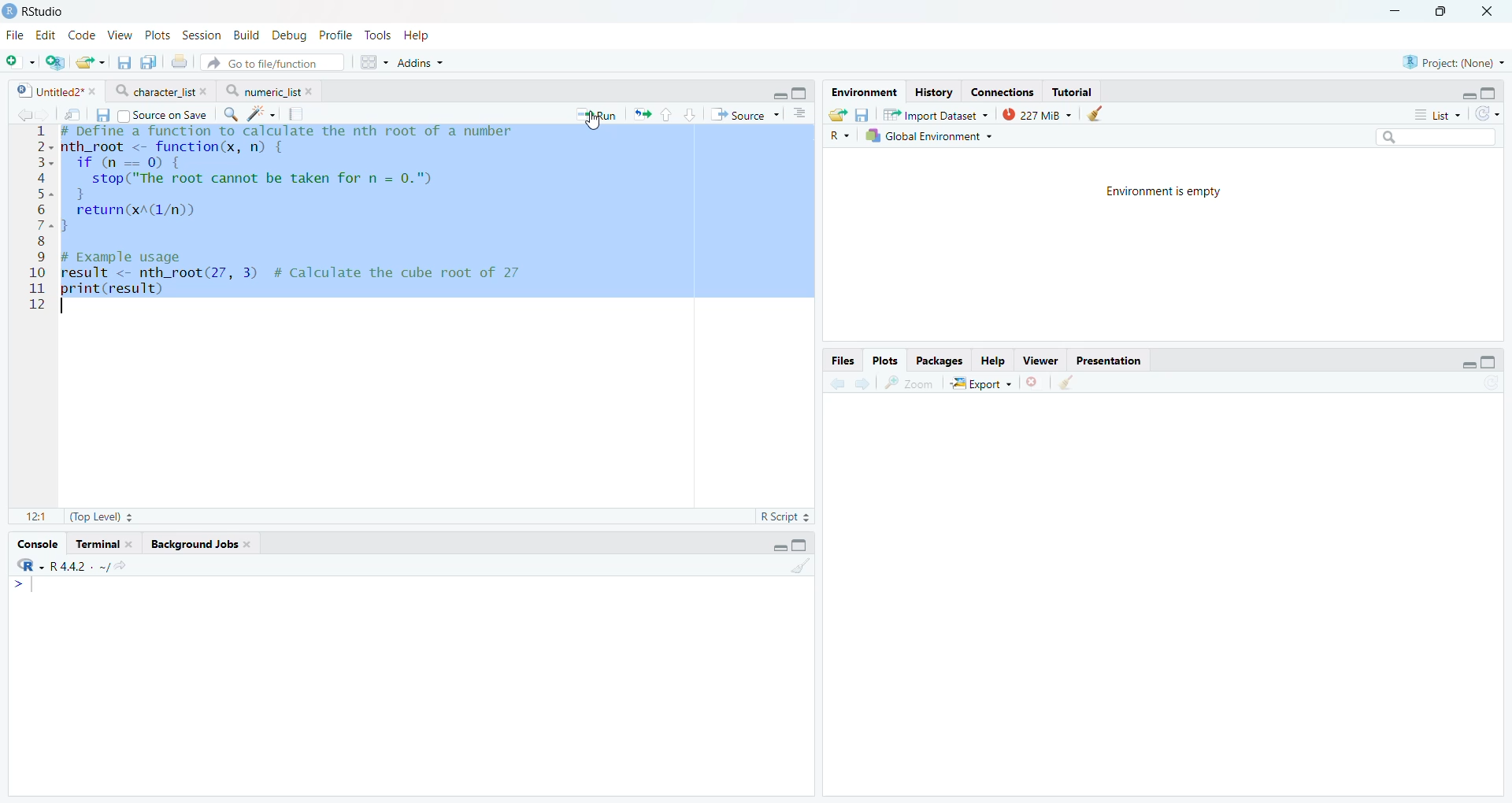  Describe the element at coordinates (778, 94) in the screenshot. I see `Hide` at that location.